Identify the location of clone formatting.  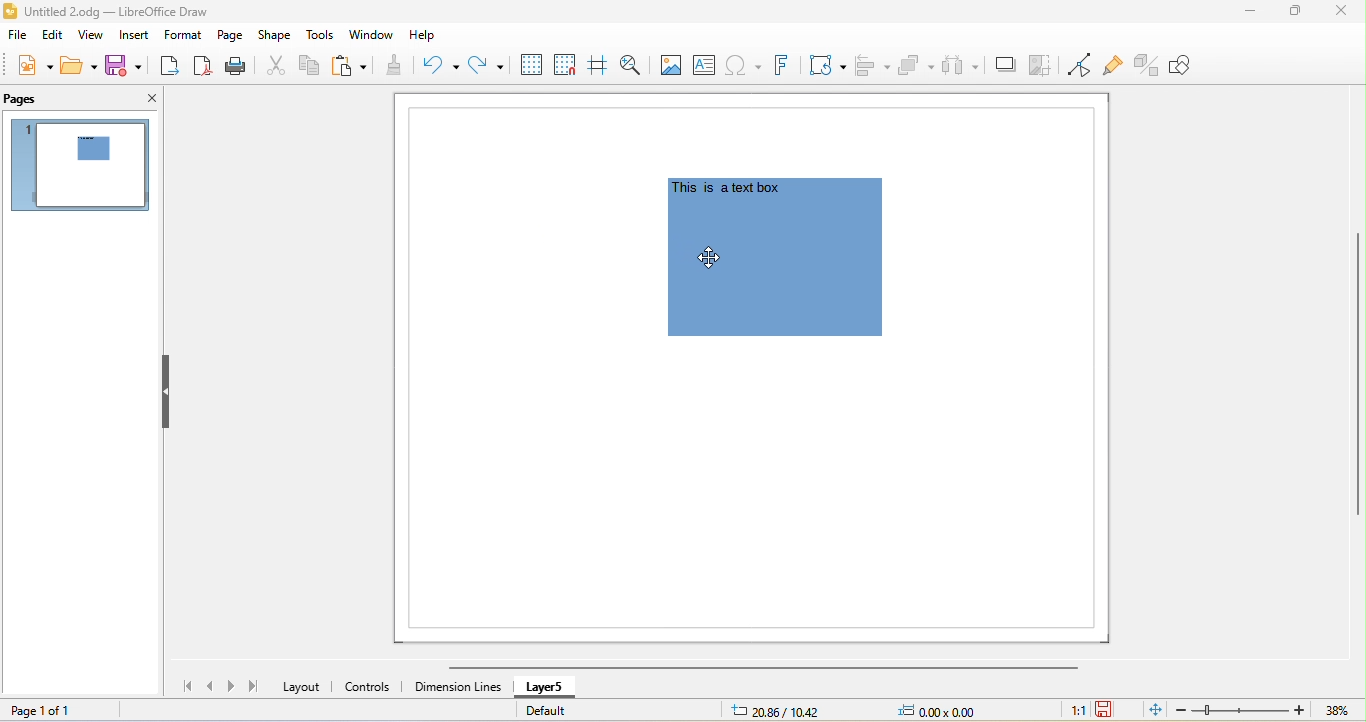
(395, 67).